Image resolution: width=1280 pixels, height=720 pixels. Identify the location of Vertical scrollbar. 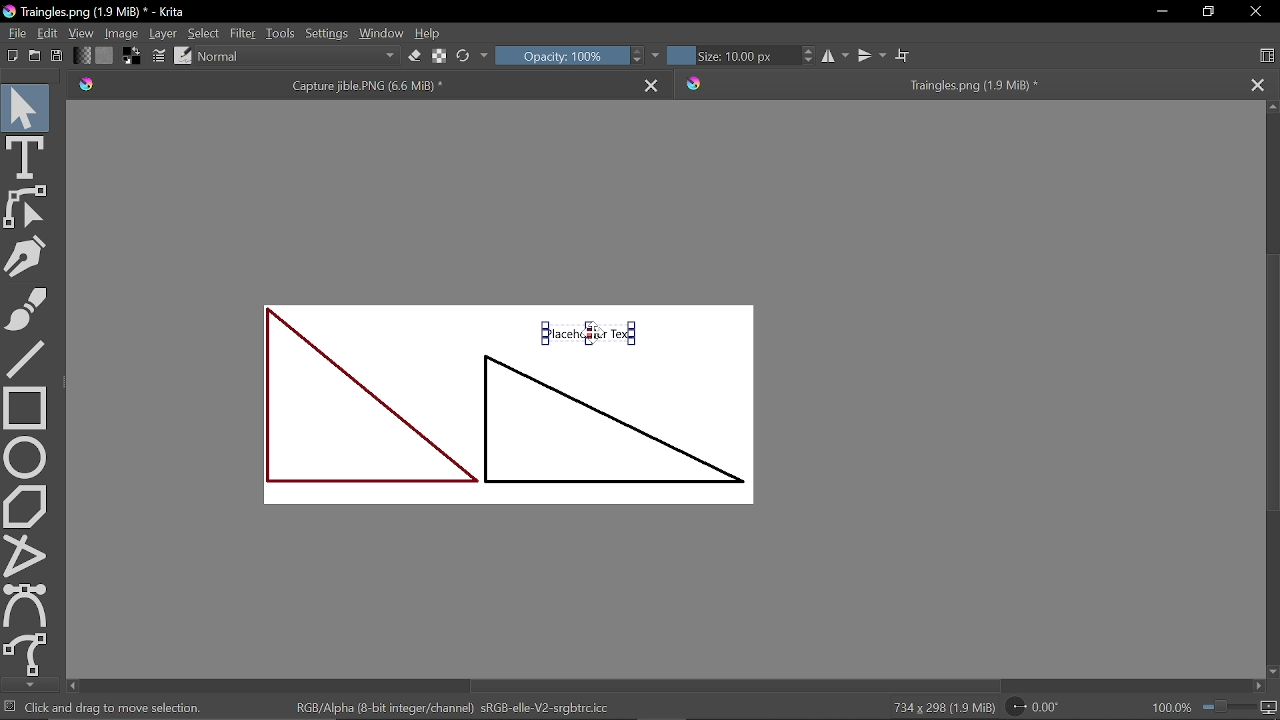
(1272, 389).